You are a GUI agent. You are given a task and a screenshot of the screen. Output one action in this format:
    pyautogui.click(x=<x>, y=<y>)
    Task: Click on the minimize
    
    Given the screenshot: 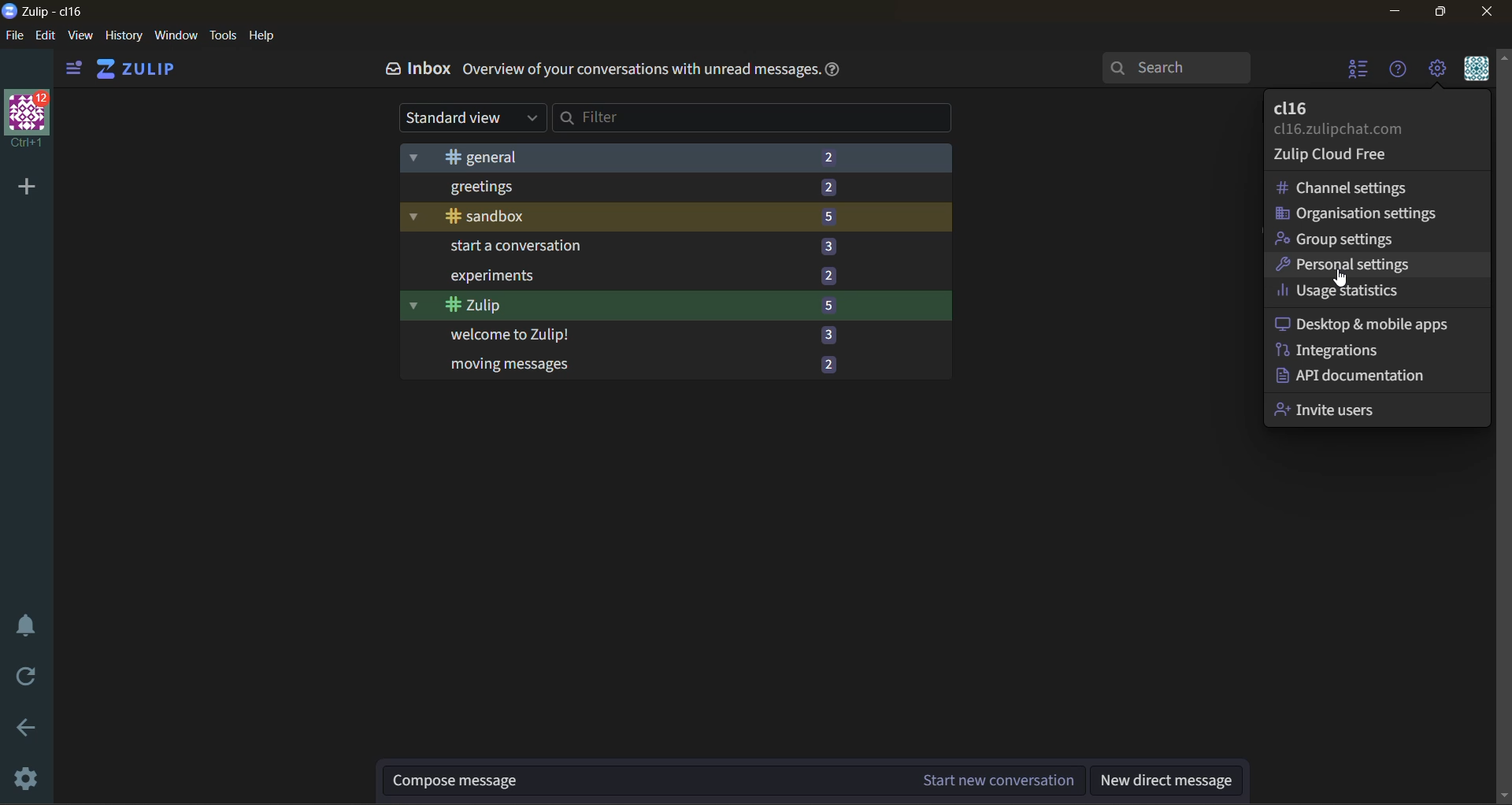 What is the action you would take?
    pyautogui.click(x=1393, y=12)
    